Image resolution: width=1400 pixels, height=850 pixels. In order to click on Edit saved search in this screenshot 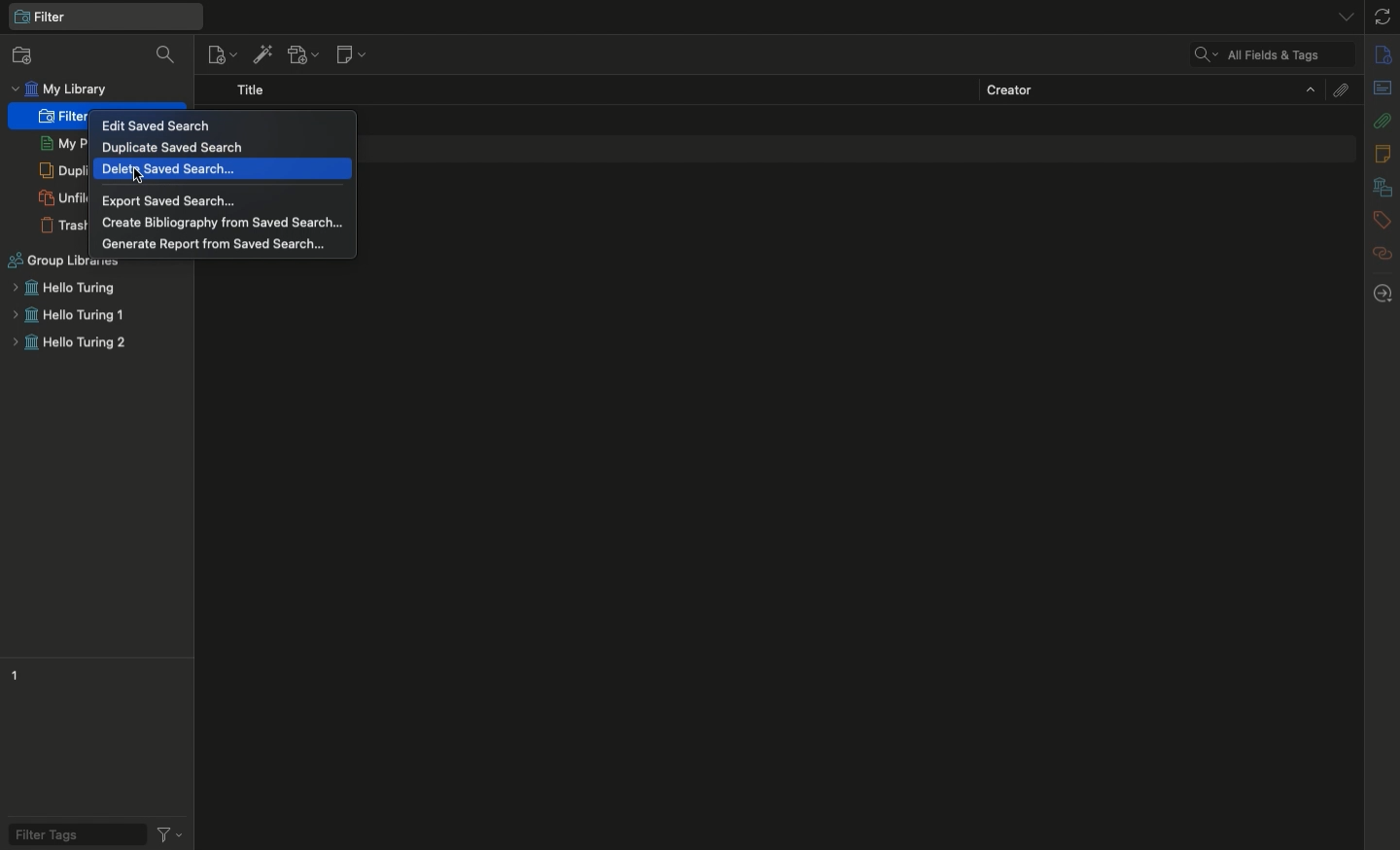, I will do `click(157, 123)`.